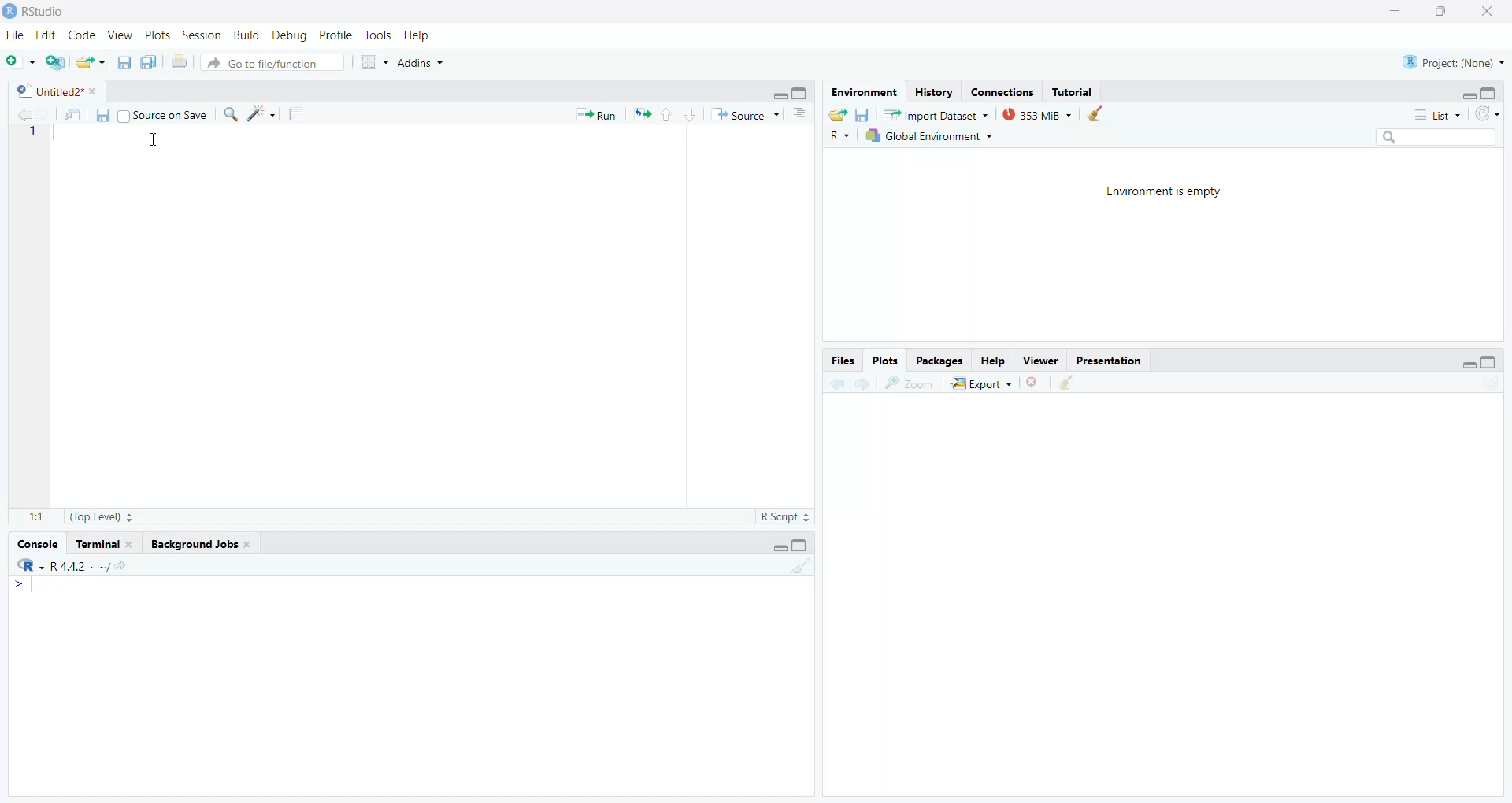 This screenshot has width=1512, height=803. Describe the element at coordinates (1111, 361) in the screenshot. I see `Presentation` at that location.